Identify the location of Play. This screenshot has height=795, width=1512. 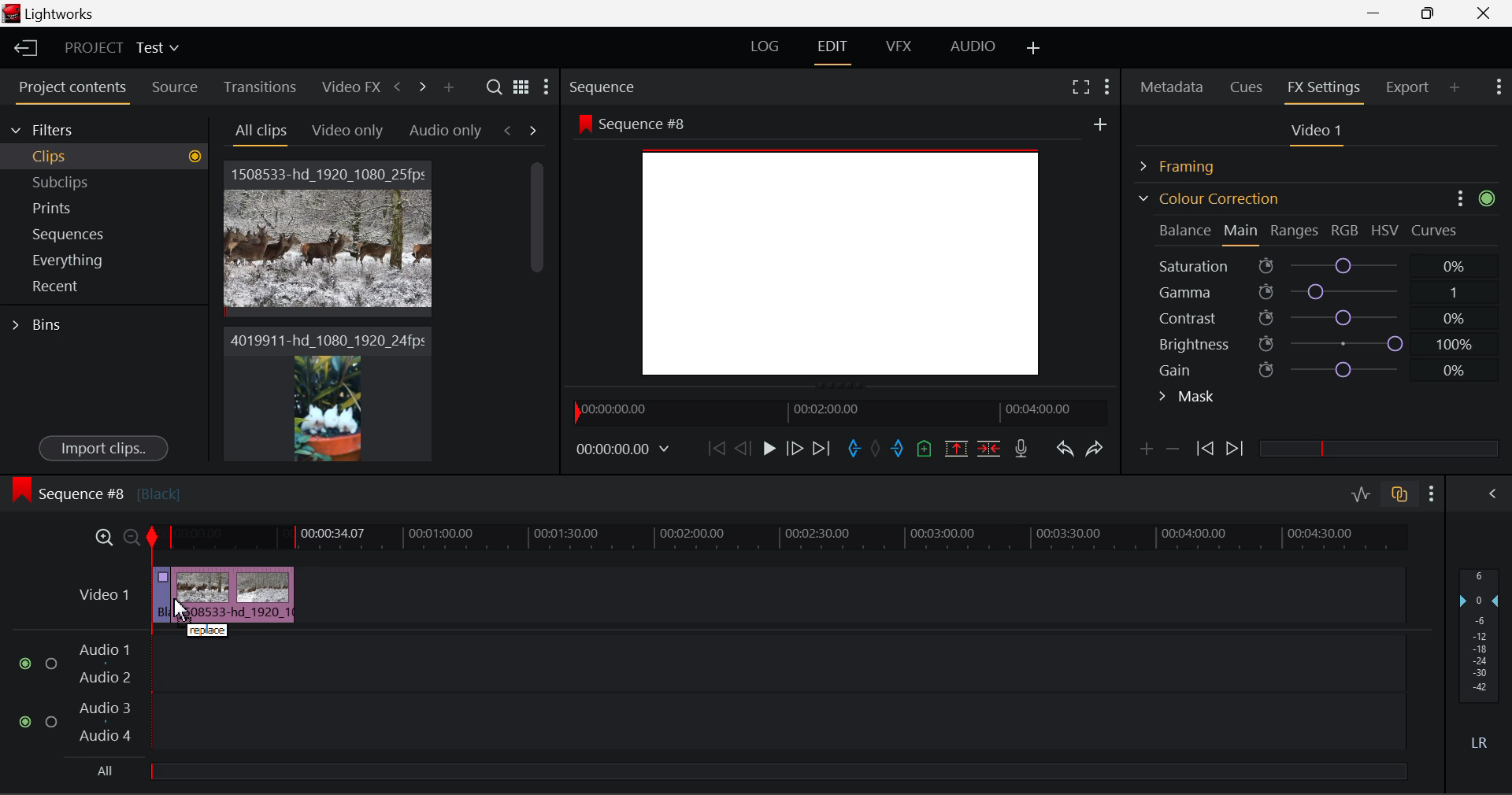
(767, 449).